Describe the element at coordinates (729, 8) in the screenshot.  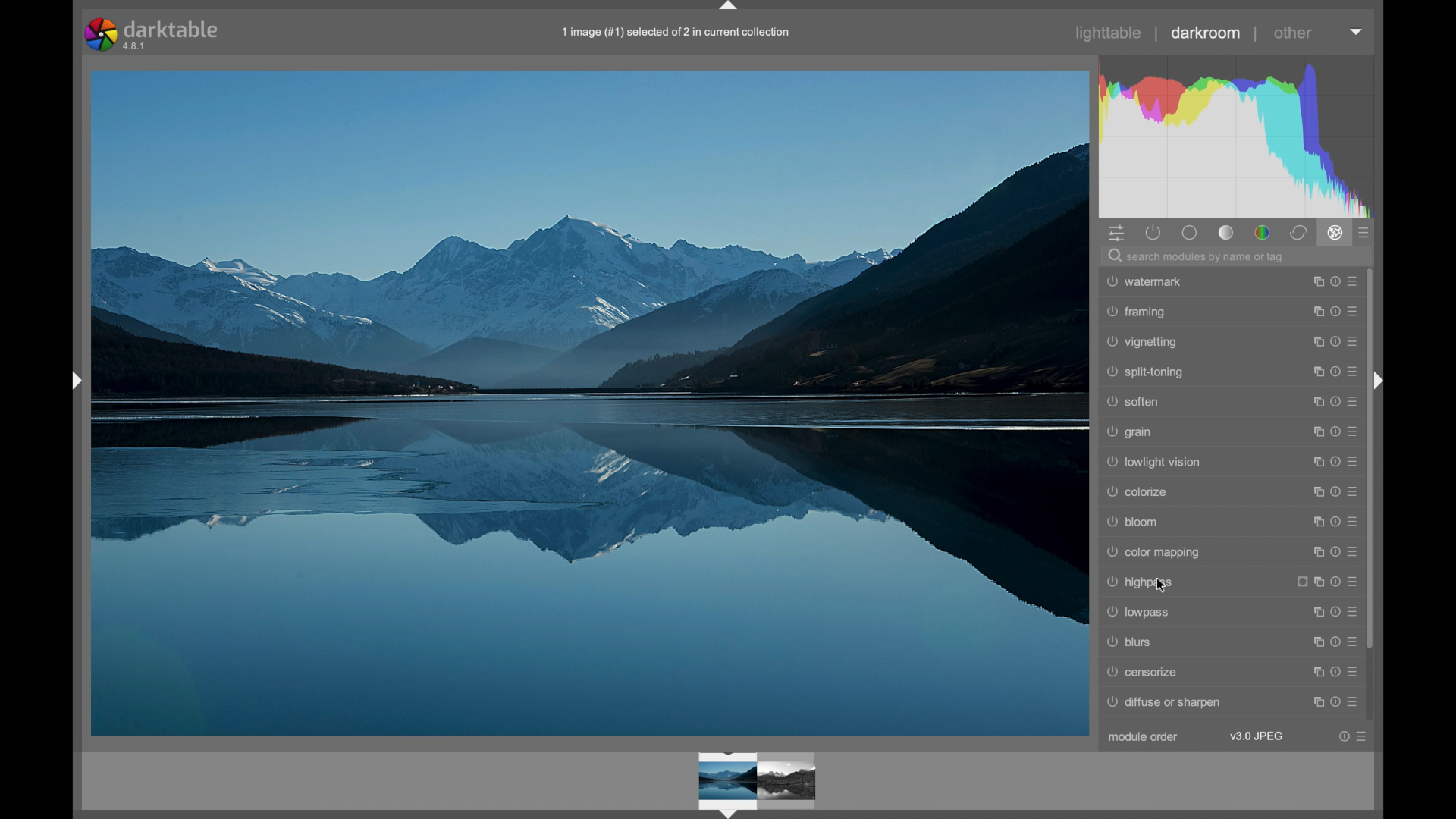
I see `drag handle` at that location.